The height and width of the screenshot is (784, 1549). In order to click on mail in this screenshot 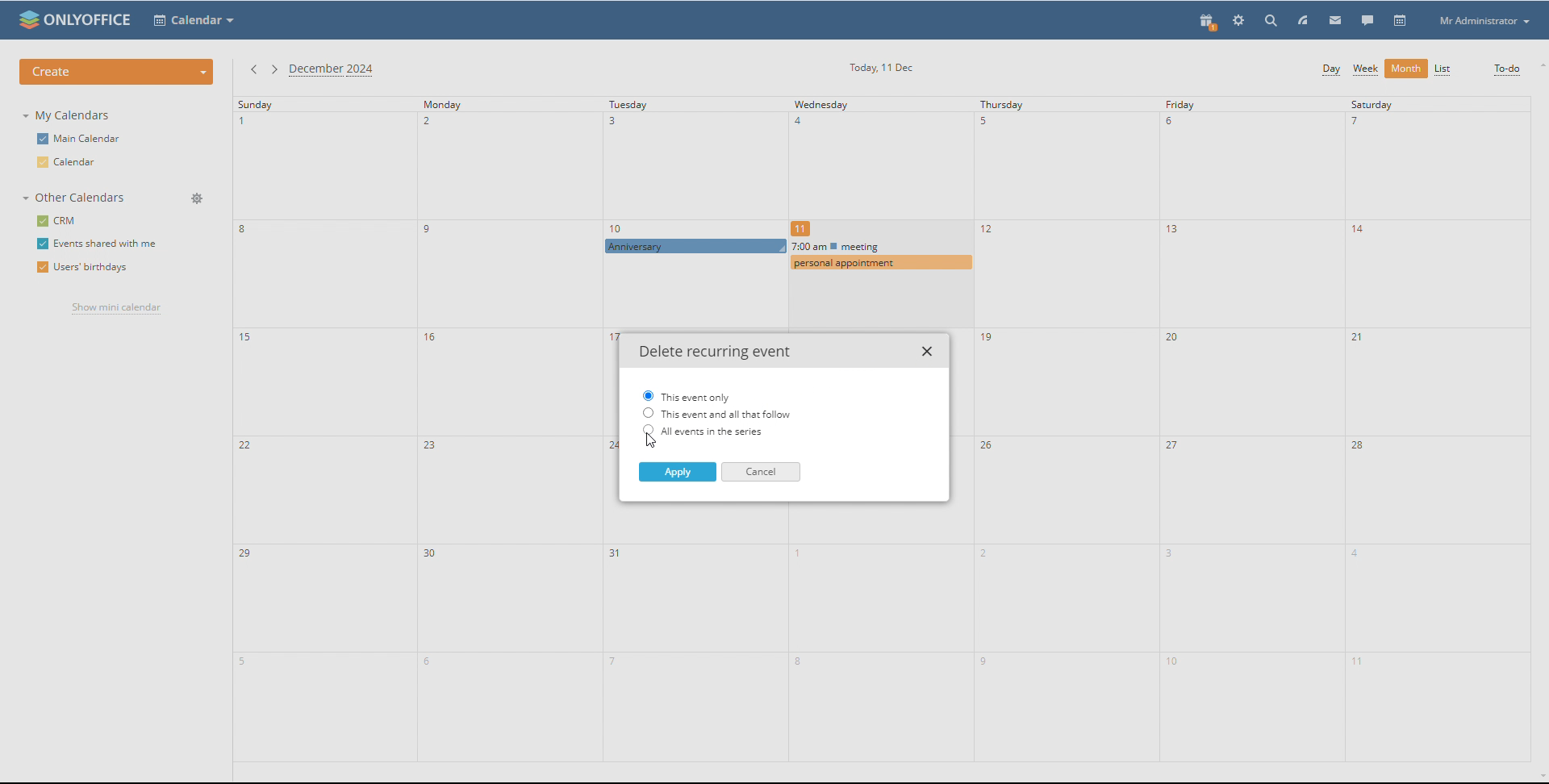, I will do `click(1336, 19)`.